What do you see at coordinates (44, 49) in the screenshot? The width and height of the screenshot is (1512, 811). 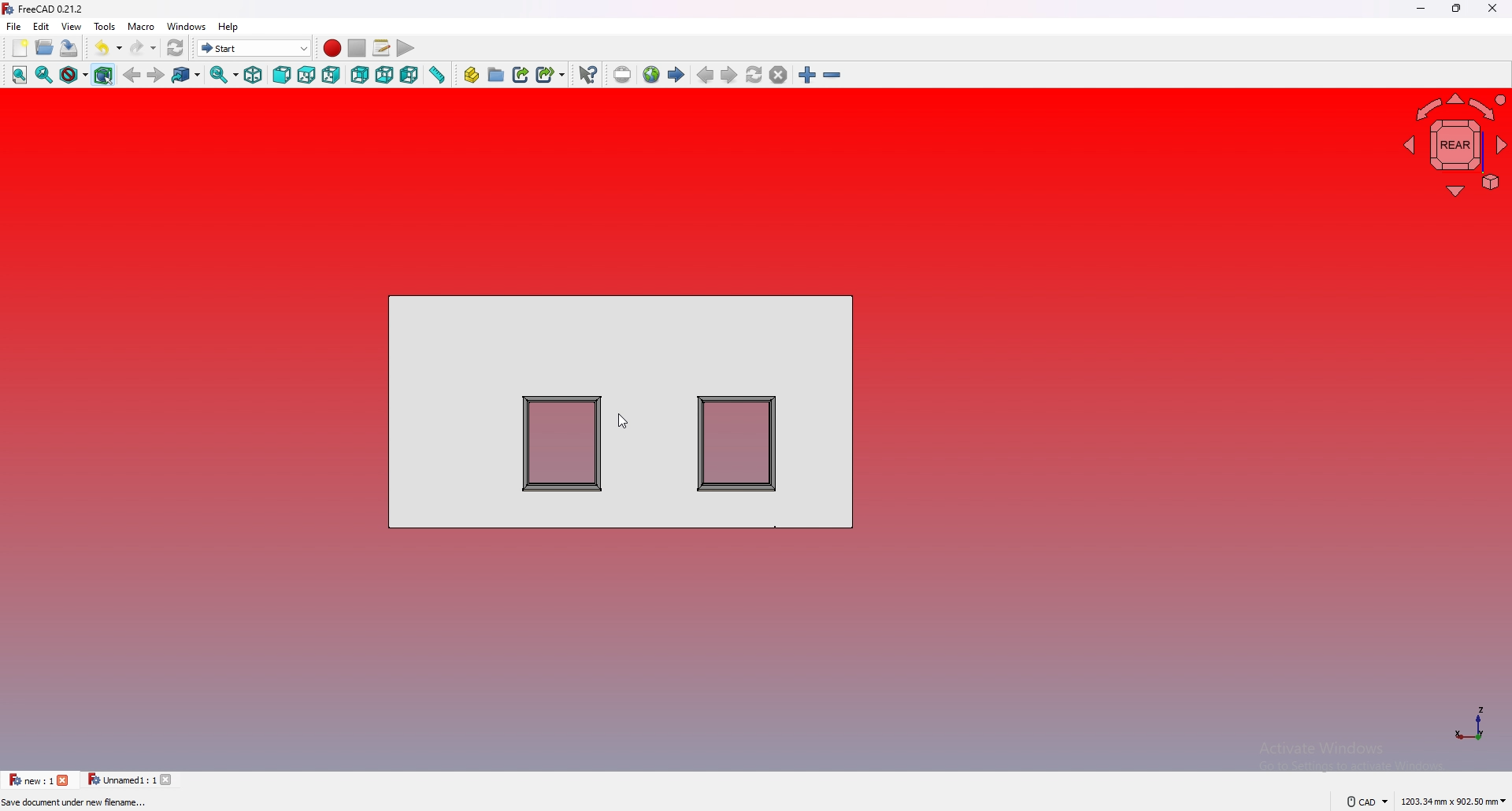 I see `open` at bounding box center [44, 49].